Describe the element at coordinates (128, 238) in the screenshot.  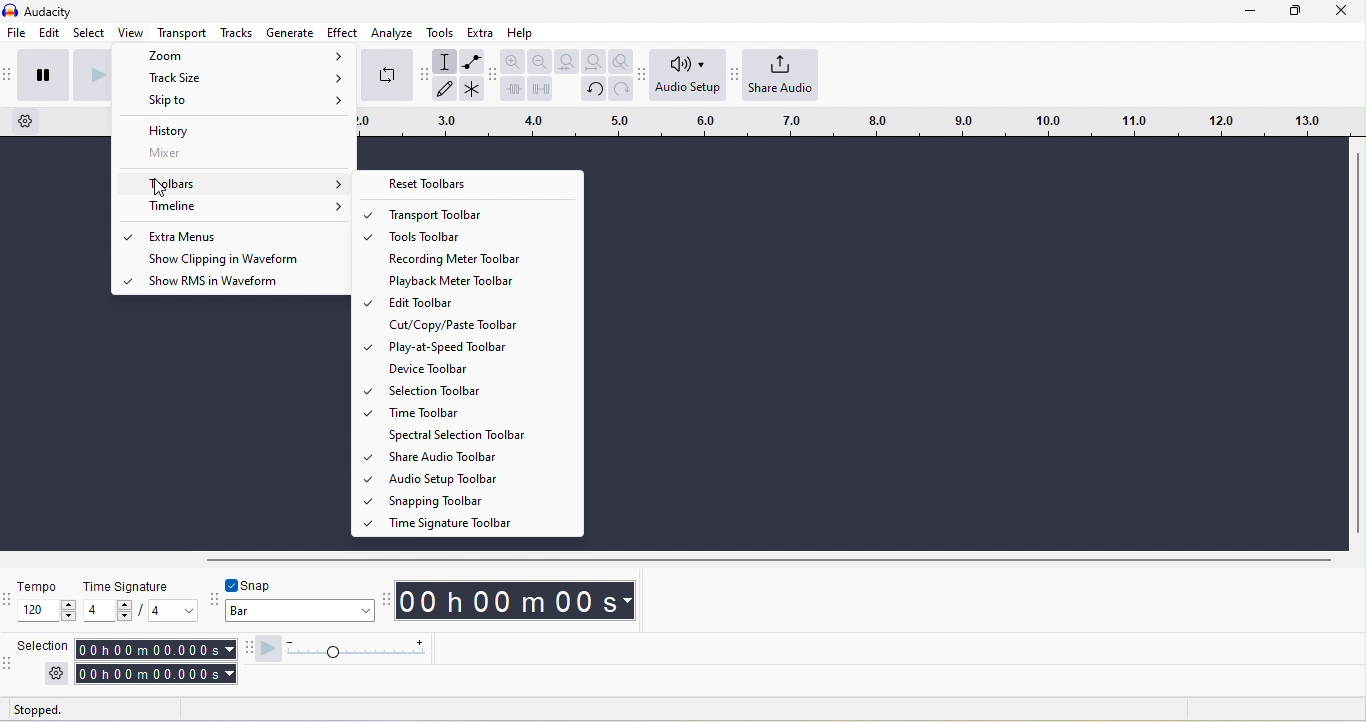
I see `option enabled` at that location.